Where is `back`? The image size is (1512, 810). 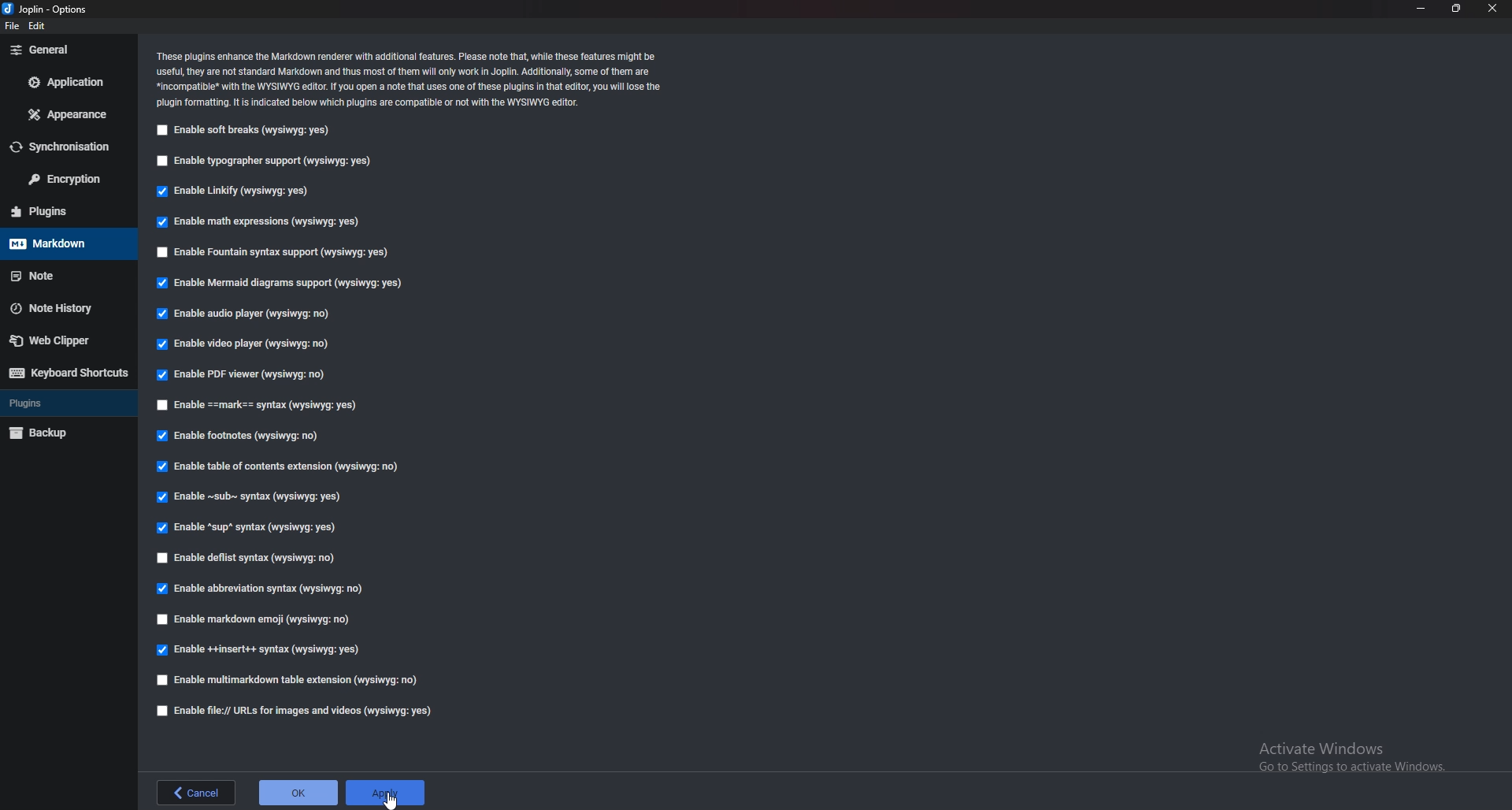
back is located at coordinates (196, 793).